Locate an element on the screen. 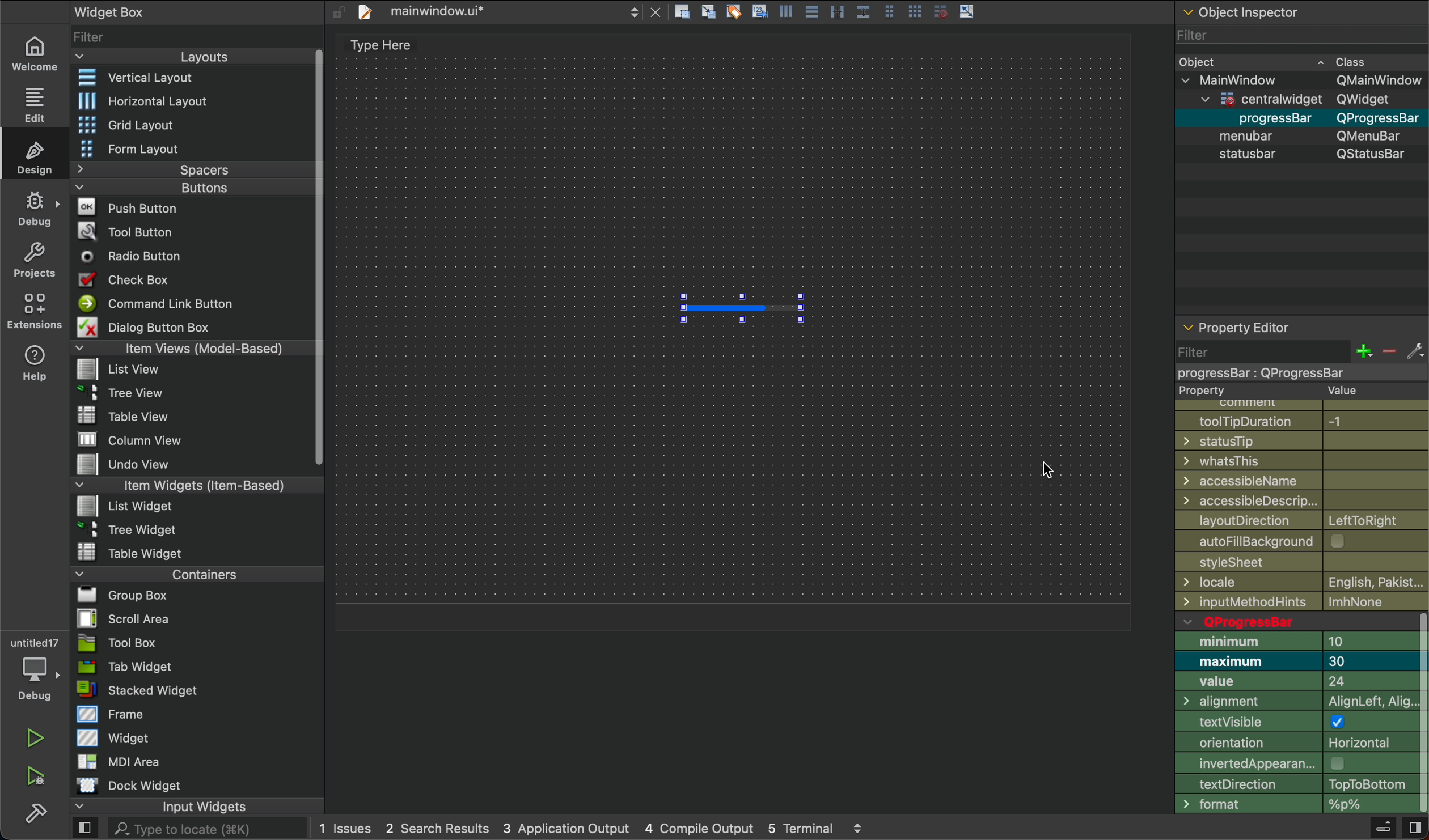 The image size is (1429, 840). Maximum  is located at coordinates (1249, 663).